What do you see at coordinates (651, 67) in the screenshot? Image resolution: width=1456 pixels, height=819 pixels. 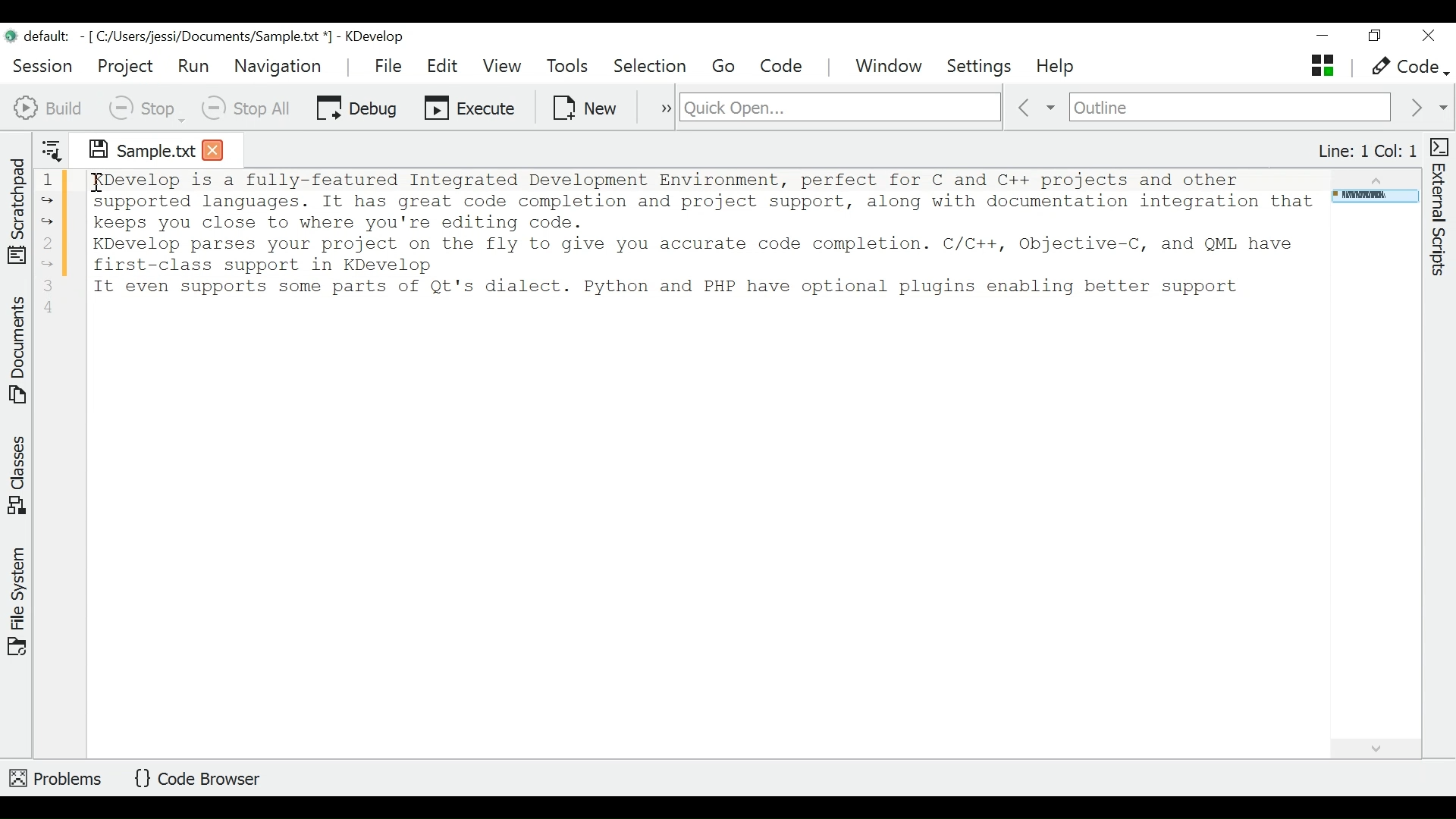 I see `Selection` at bounding box center [651, 67].